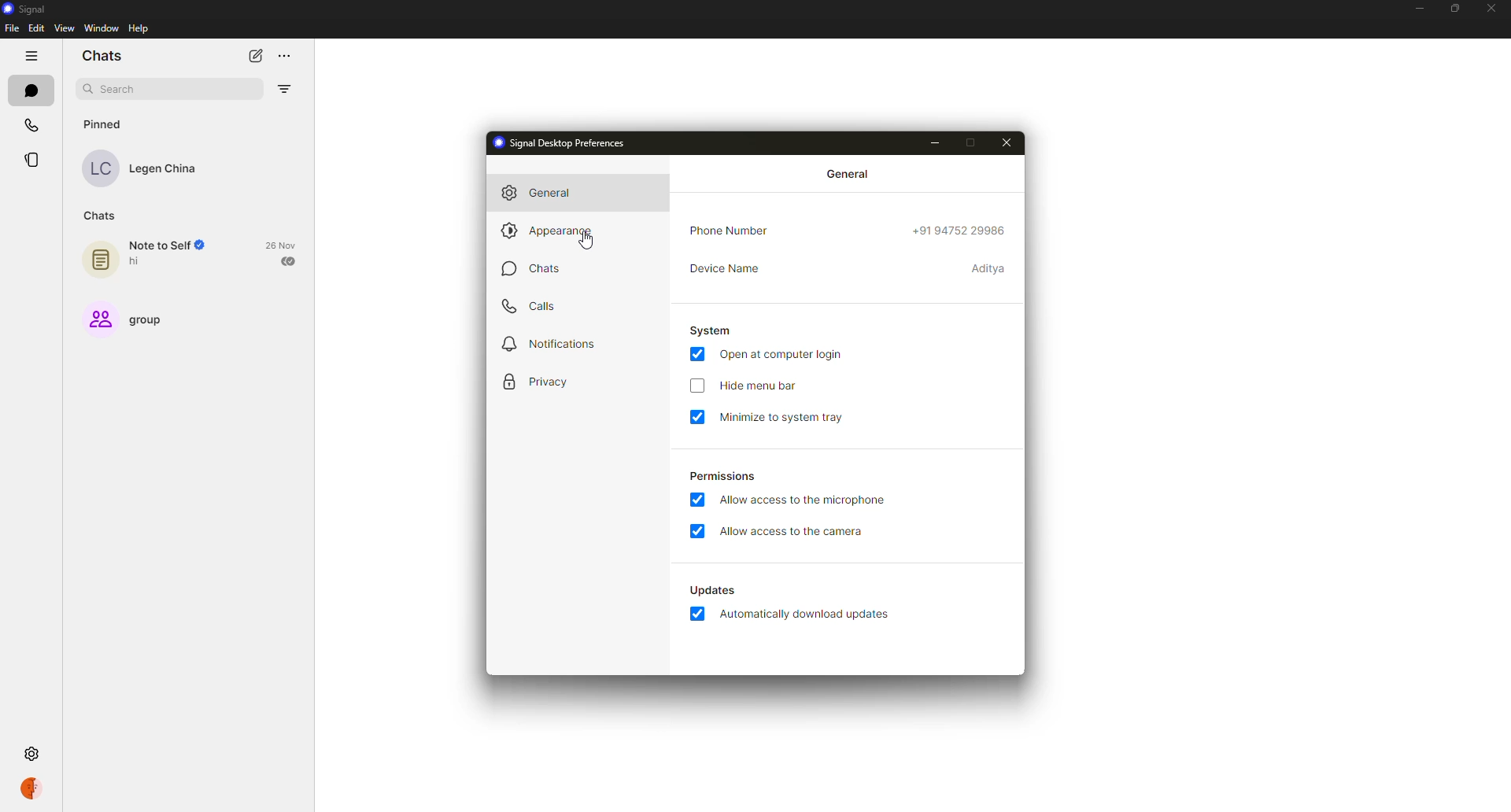 This screenshot has height=812, width=1511. Describe the element at coordinates (989, 268) in the screenshot. I see `device name` at that location.